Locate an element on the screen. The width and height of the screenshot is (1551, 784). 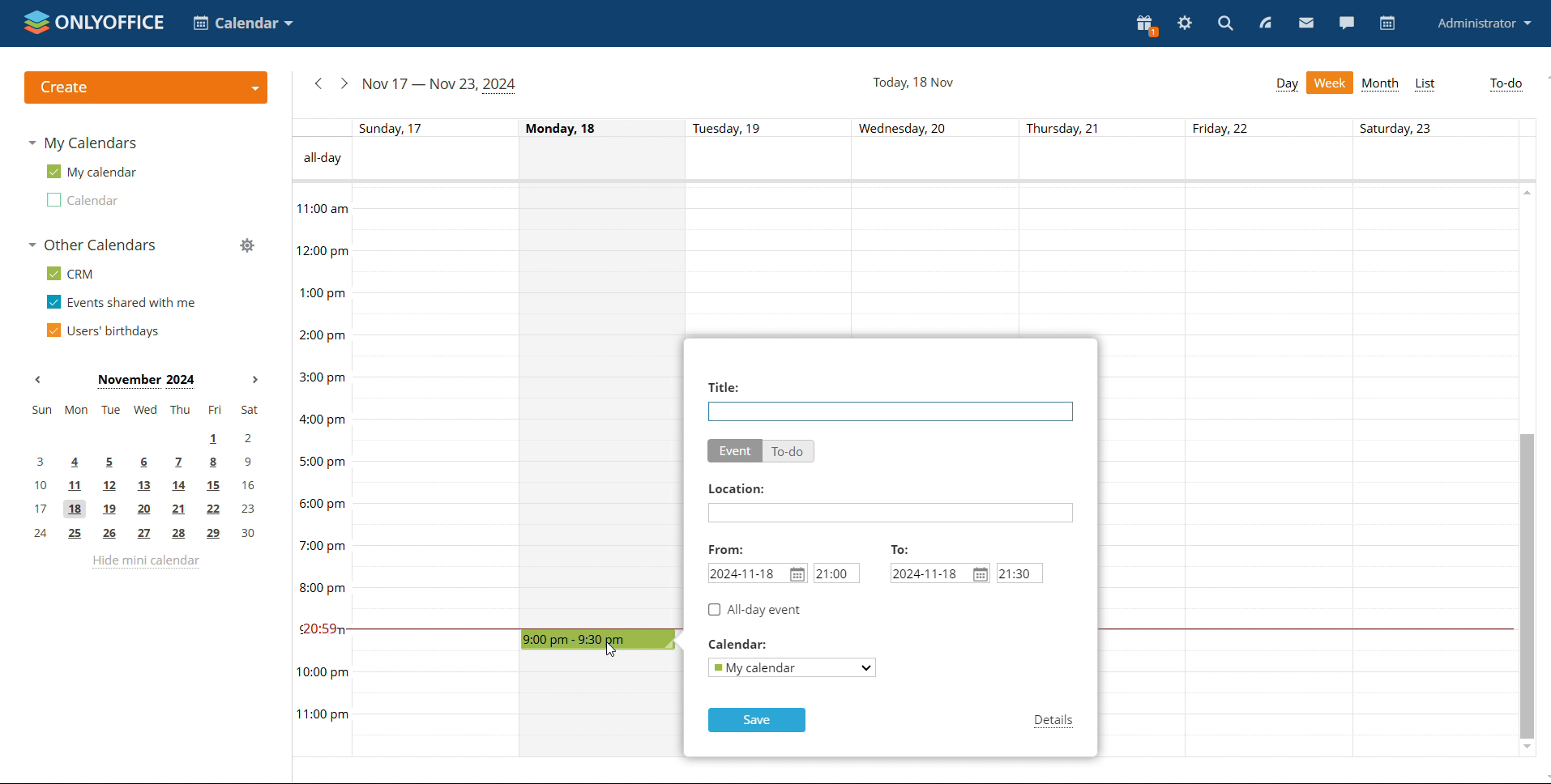
all-day event is located at coordinates (754, 610).